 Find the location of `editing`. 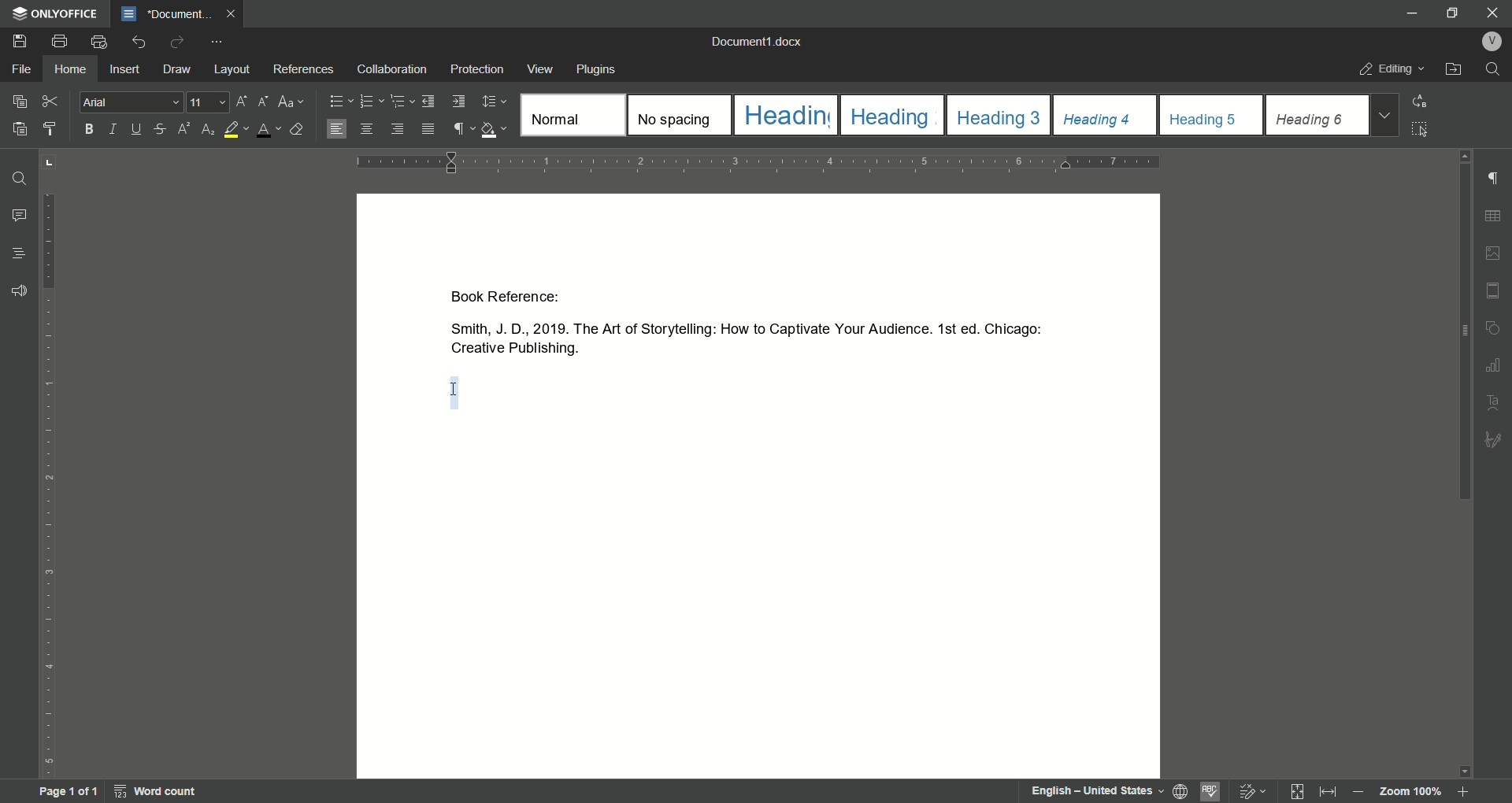

editing is located at coordinates (1392, 68).